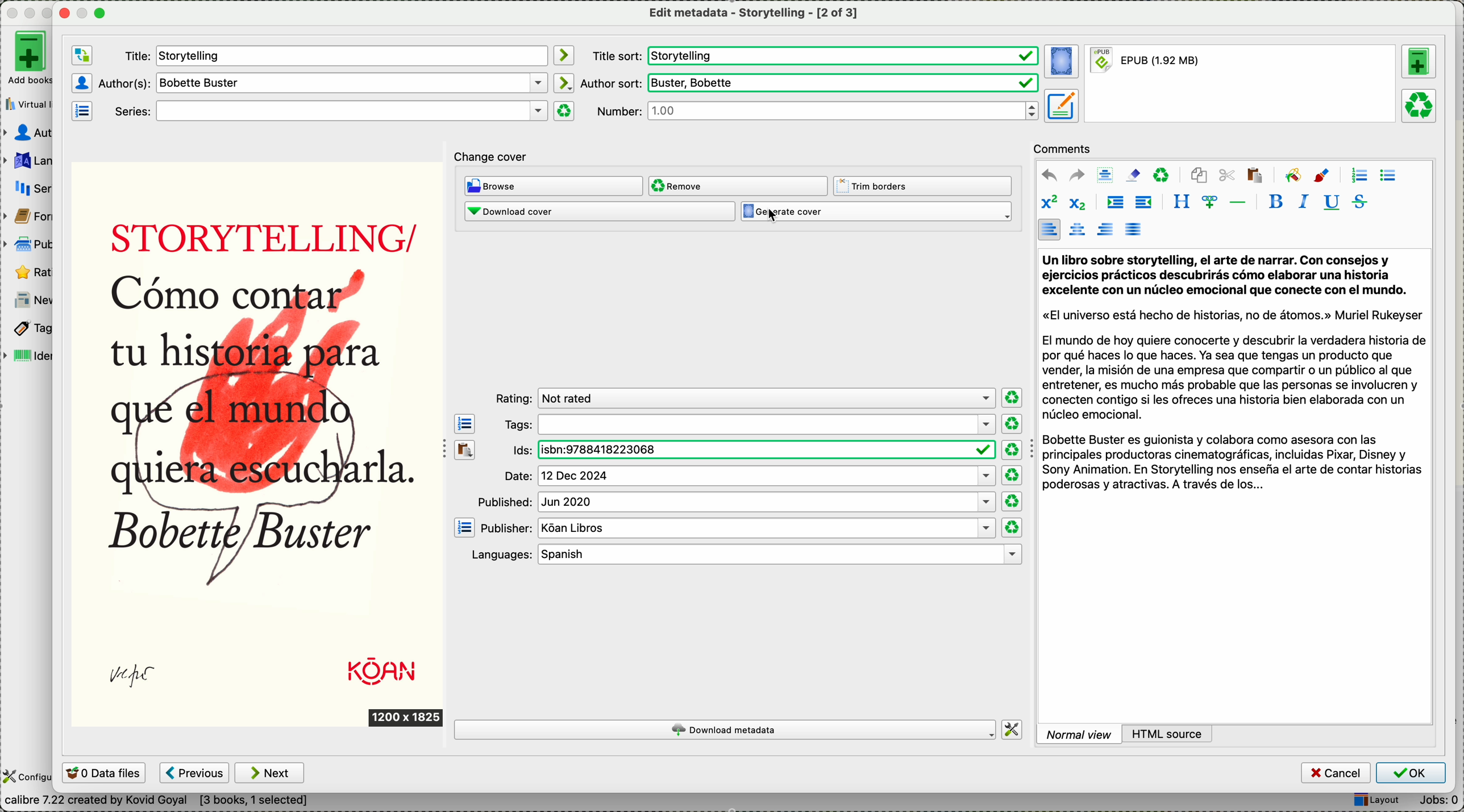  I want to click on date, so click(747, 477).